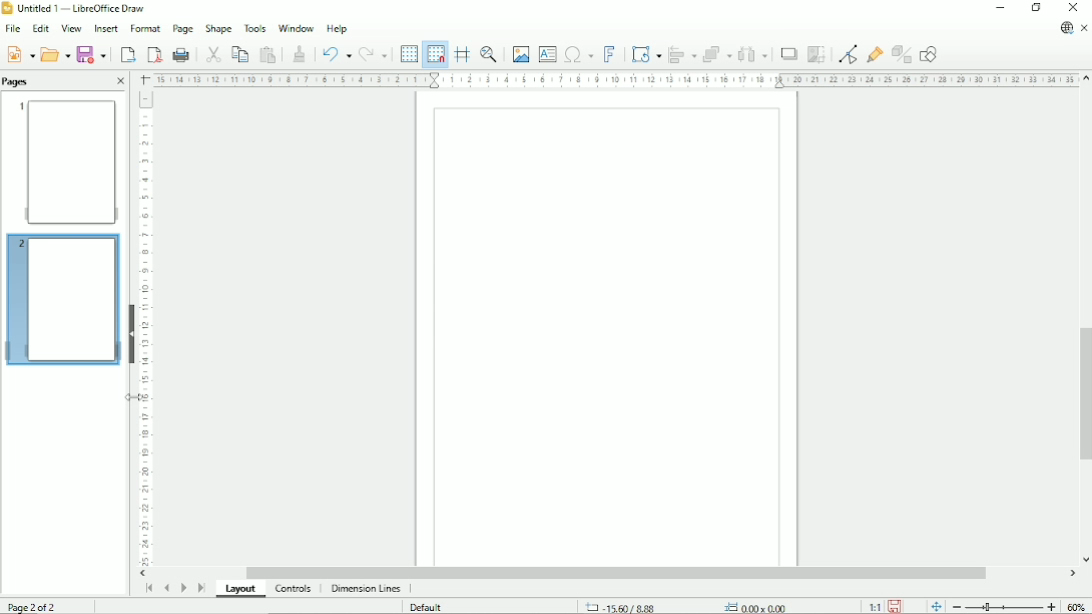  Describe the element at coordinates (337, 28) in the screenshot. I see `Help` at that location.